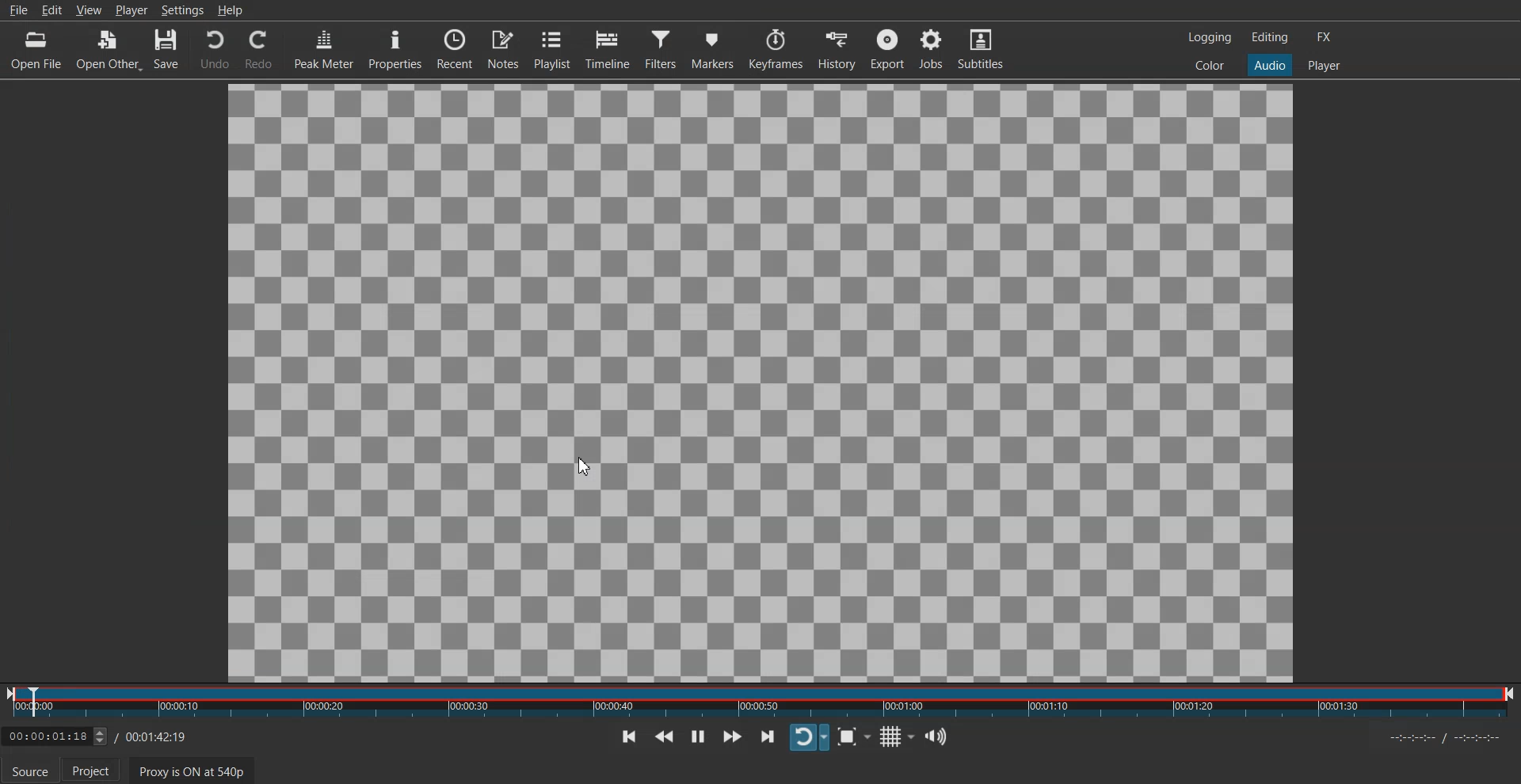 The height and width of the screenshot is (784, 1521). What do you see at coordinates (937, 736) in the screenshot?
I see `Show the volume control` at bounding box center [937, 736].